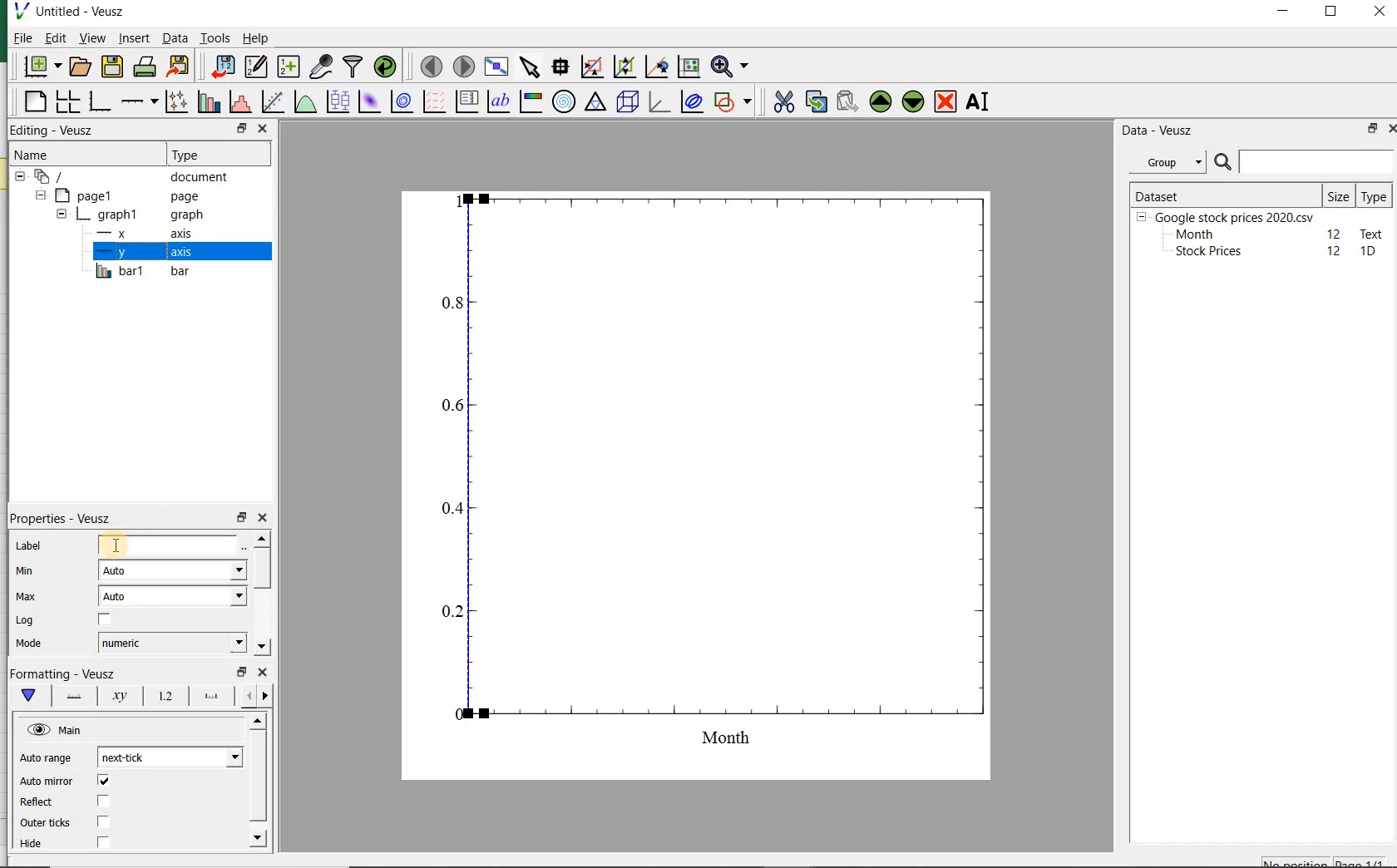 The image size is (1397, 868). I want to click on major ticks, so click(209, 698).